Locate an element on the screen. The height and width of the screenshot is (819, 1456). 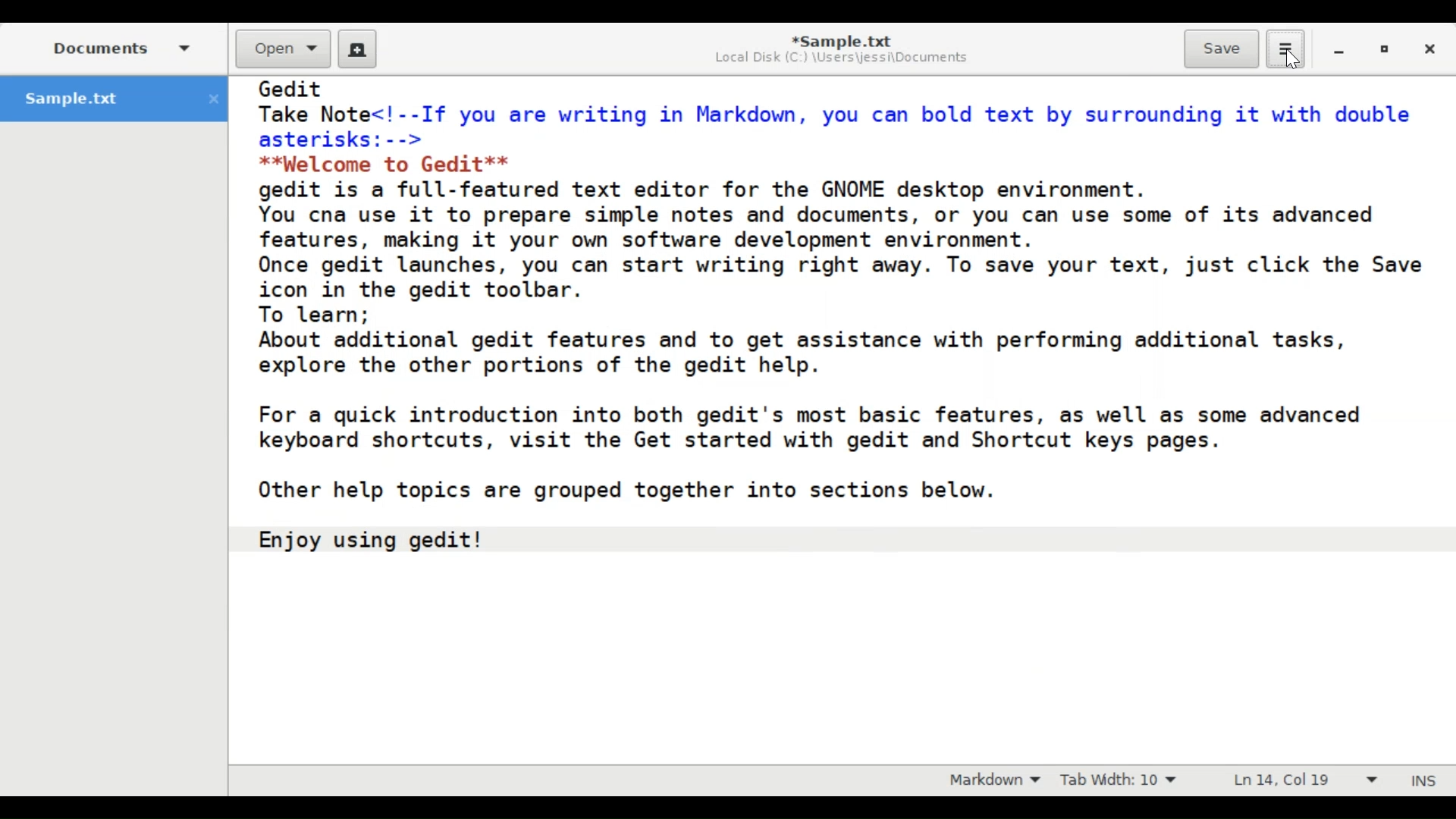
Application menu is located at coordinates (1285, 47).